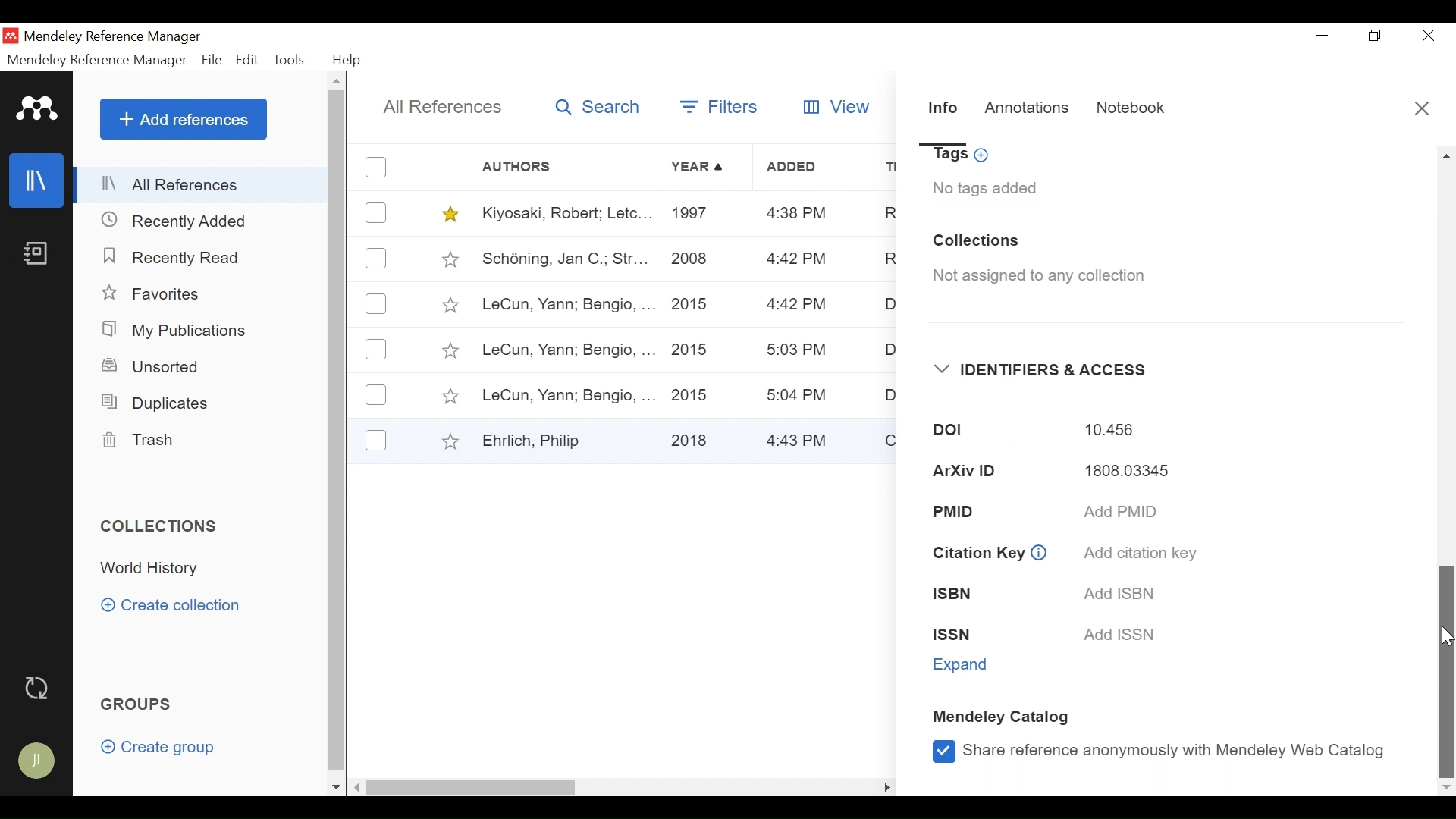 This screenshot has width=1456, height=819. Describe the element at coordinates (1123, 635) in the screenshot. I see `Add ISSN` at that location.